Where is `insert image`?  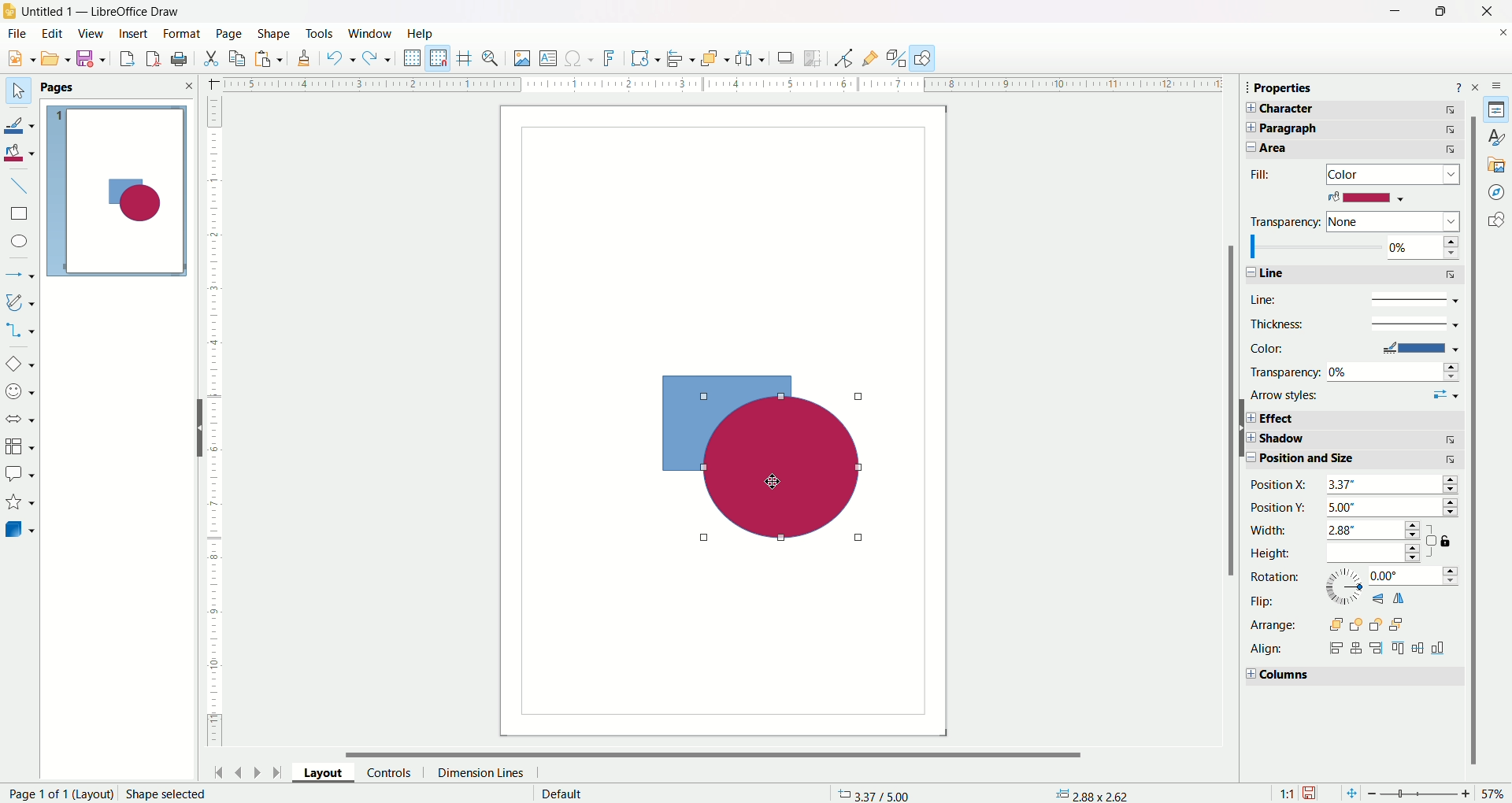 insert image is located at coordinates (522, 59).